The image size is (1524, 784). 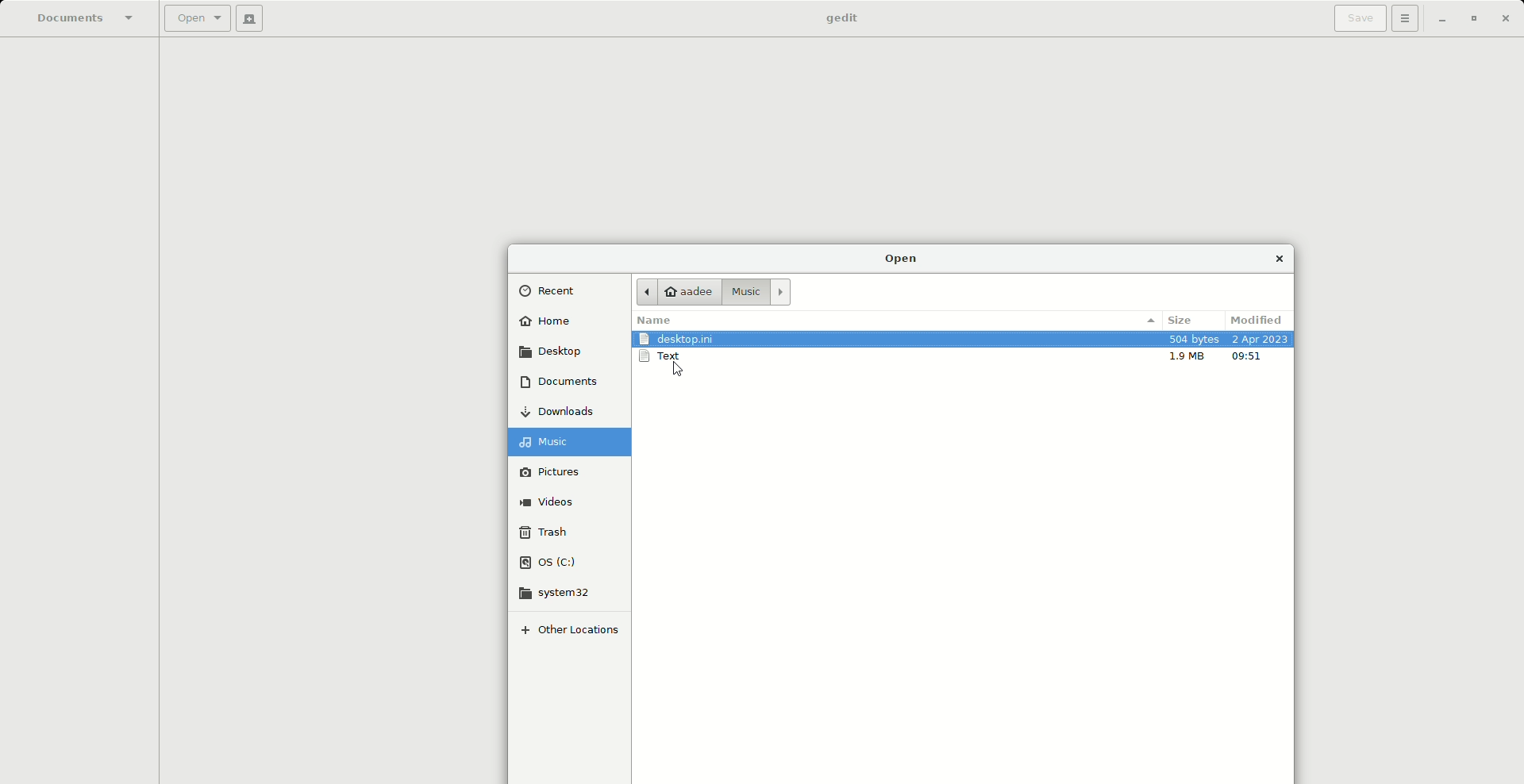 I want to click on Open, so click(x=197, y=17).